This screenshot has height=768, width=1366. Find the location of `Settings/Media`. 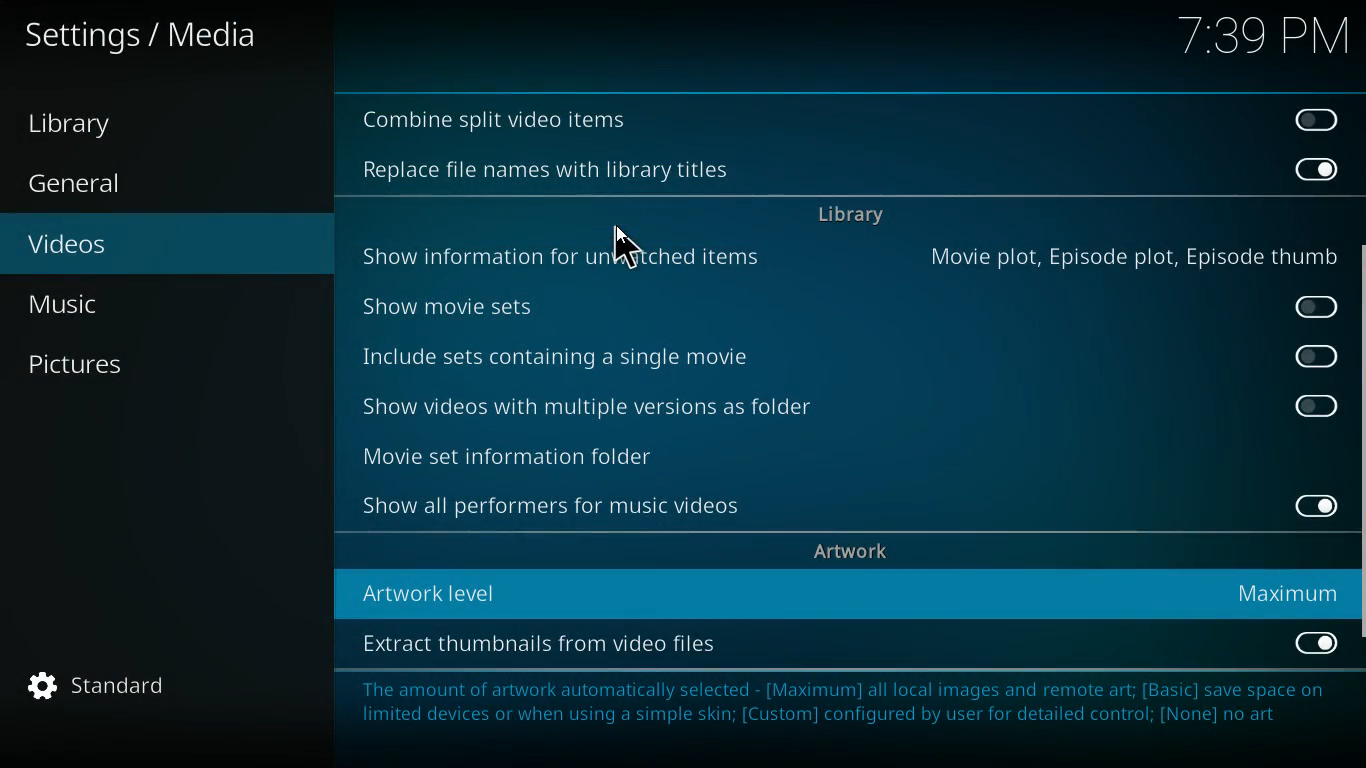

Settings/Media is located at coordinates (146, 36).